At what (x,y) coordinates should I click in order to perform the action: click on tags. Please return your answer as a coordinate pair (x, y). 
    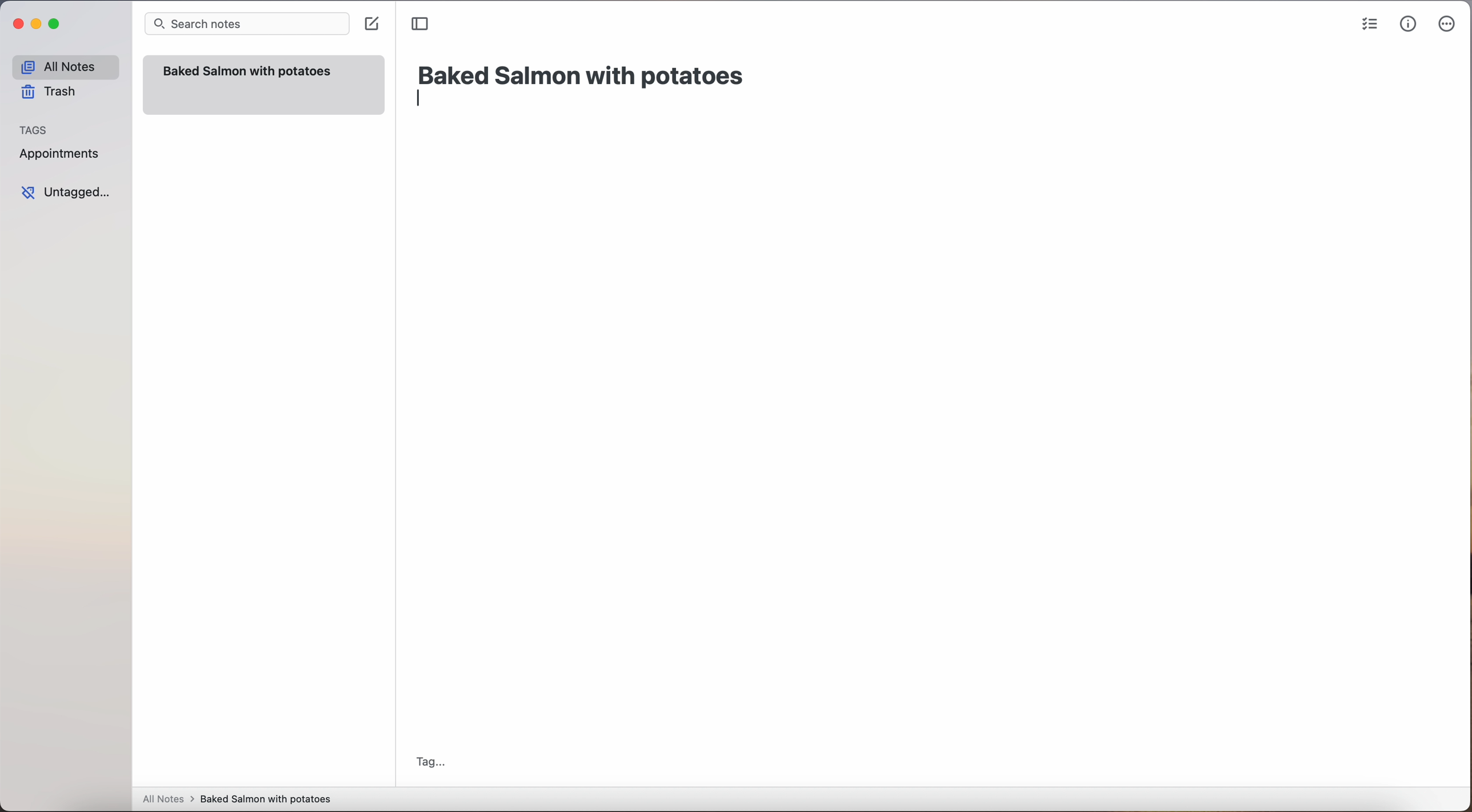
    Looking at the image, I should click on (34, 129).